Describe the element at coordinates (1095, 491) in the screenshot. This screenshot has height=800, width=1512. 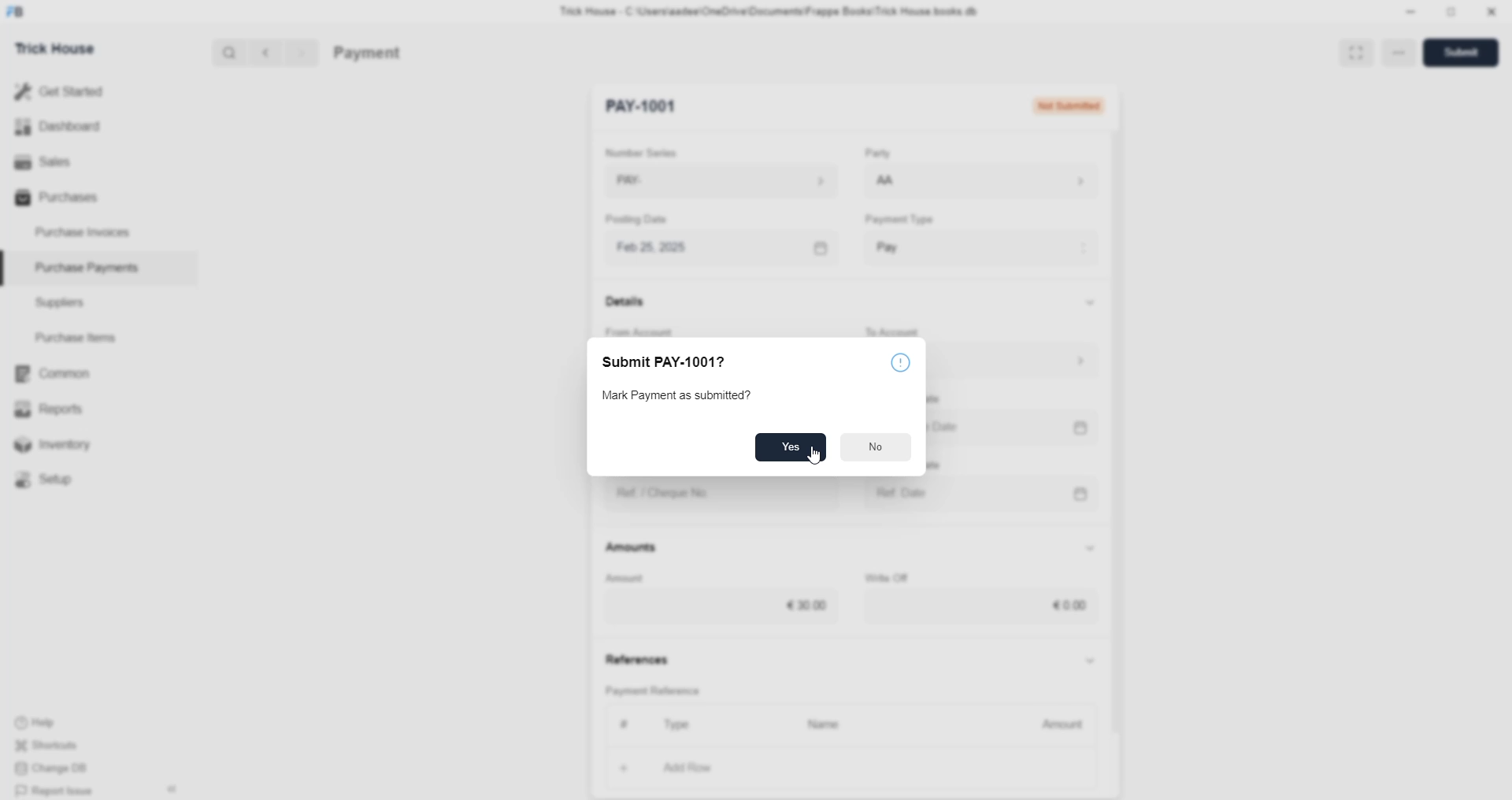
I see `calendar` at that location.